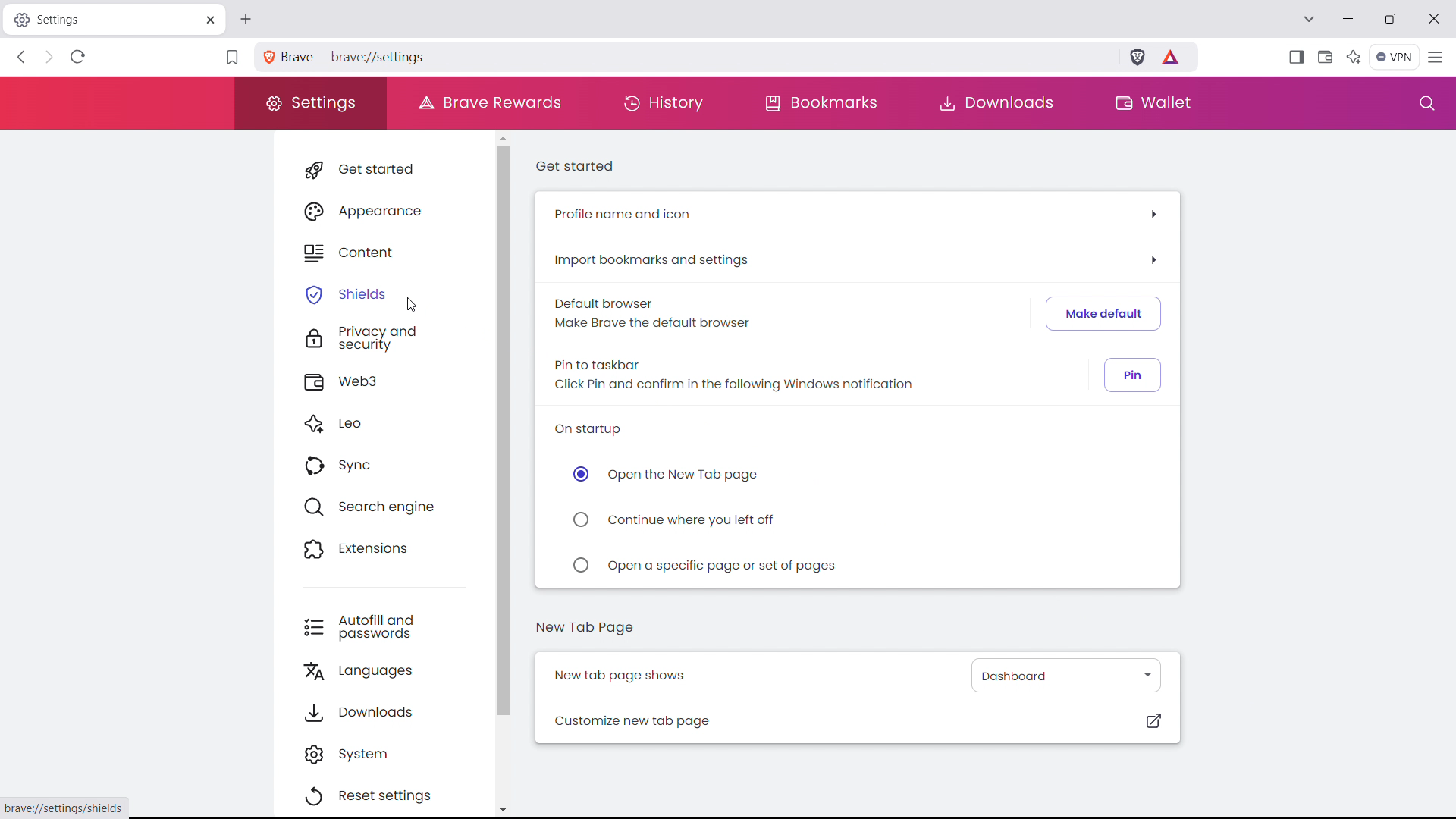 Image resolution: width=1456 pixels, height=819 pixels. What do you see at coordinates (384, 249) in the screenshot?
I see `content` at bounding box center [384, 249].